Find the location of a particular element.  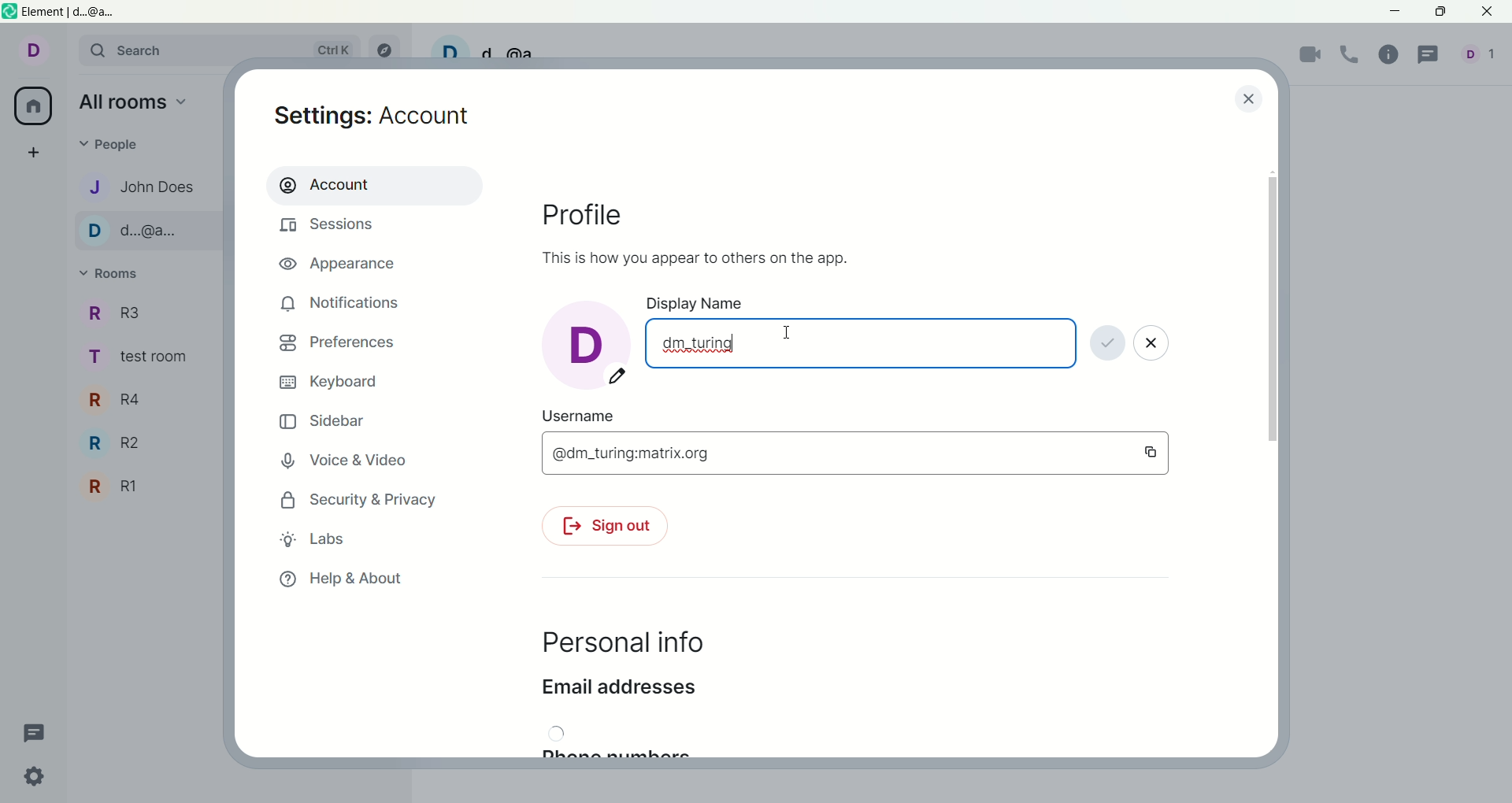

 @dm_turing:matrix.org is located at coordinates (854, 453).